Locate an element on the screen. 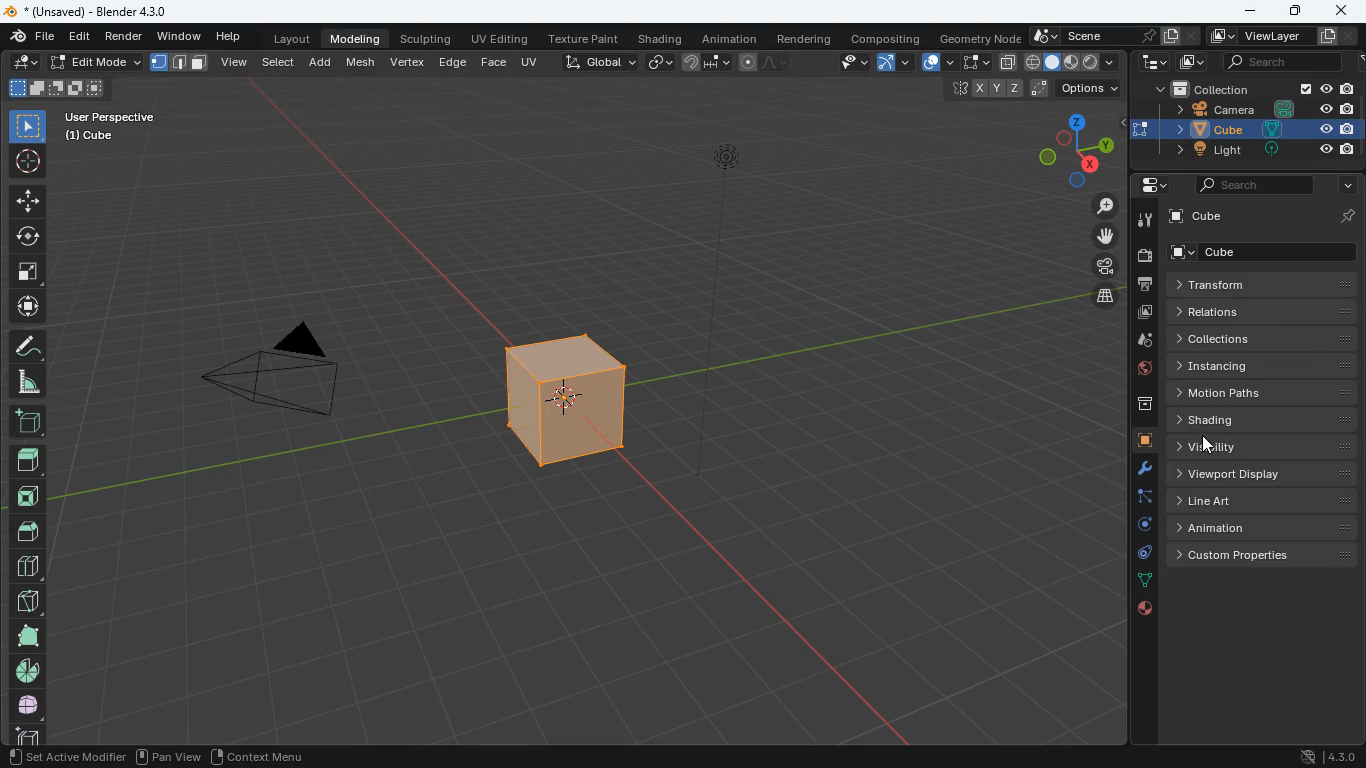 This screenshot has width=1366, height=768. maximize is located at coordinates (1299, 11).